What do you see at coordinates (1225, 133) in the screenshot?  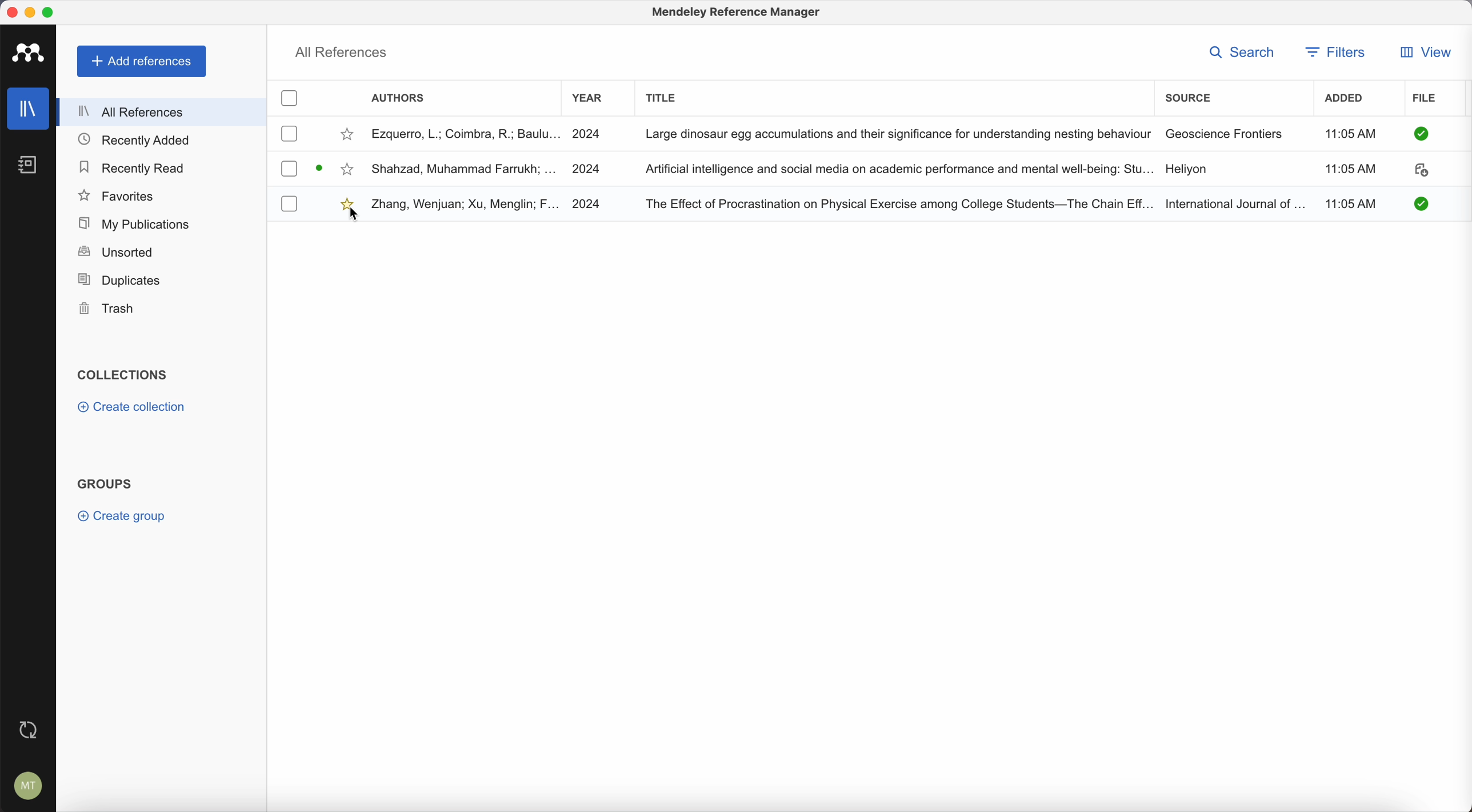 I see `Geoscience Frontiers` at bounding box center [1225, 133].